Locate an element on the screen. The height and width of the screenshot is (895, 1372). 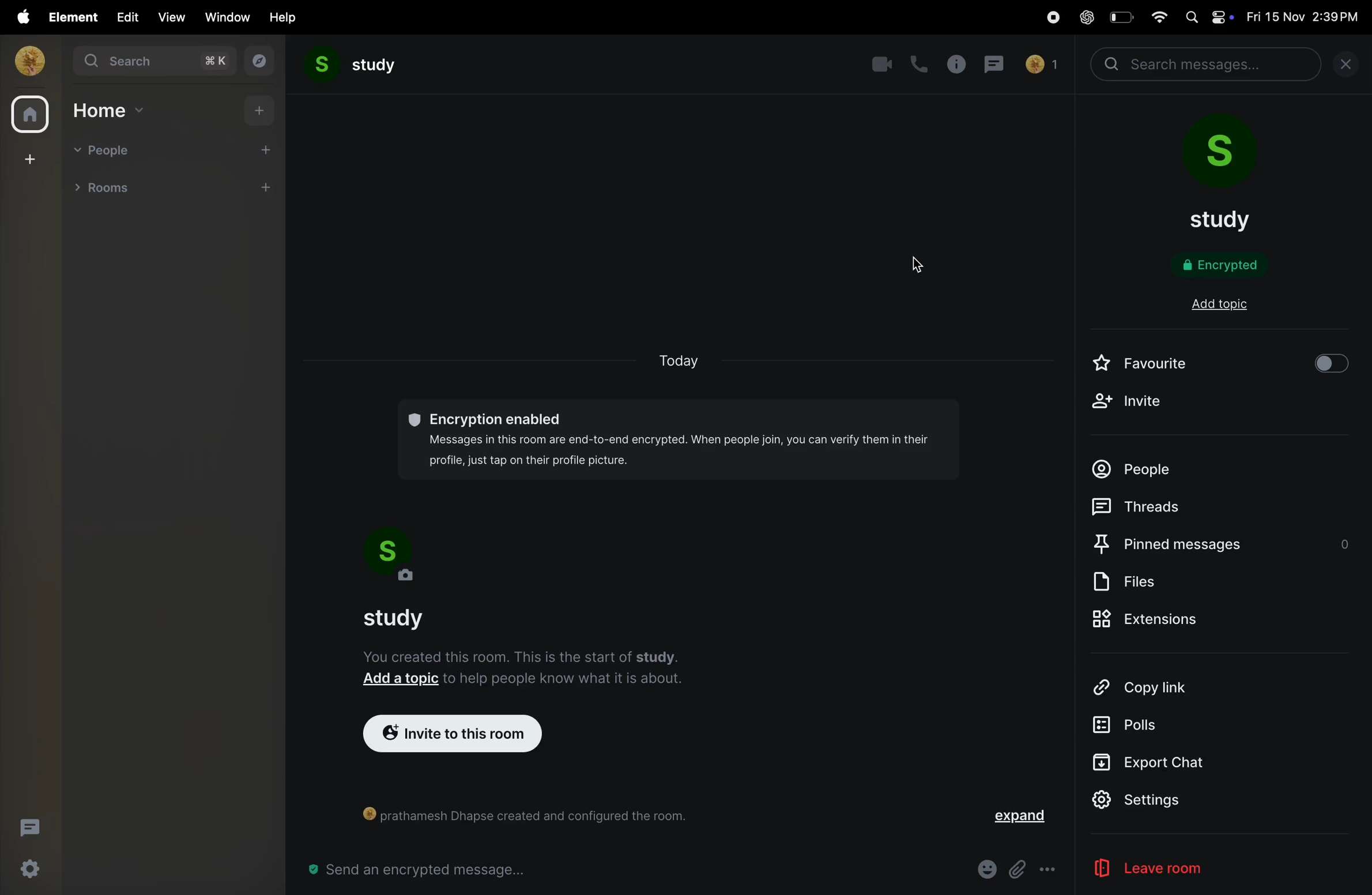
home is located at coordinates (111, 110).